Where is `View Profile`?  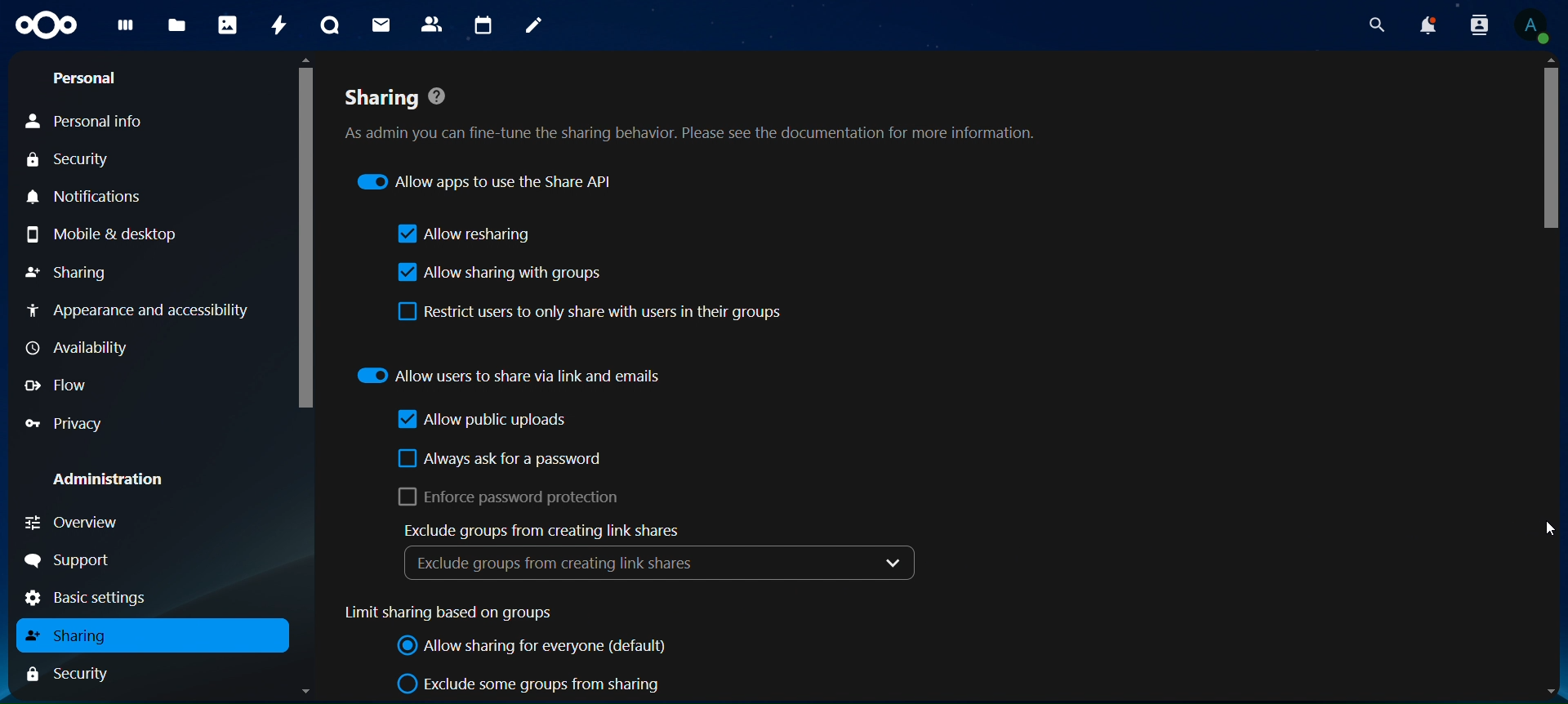
View Profile is located at coordinates (1536, 27).